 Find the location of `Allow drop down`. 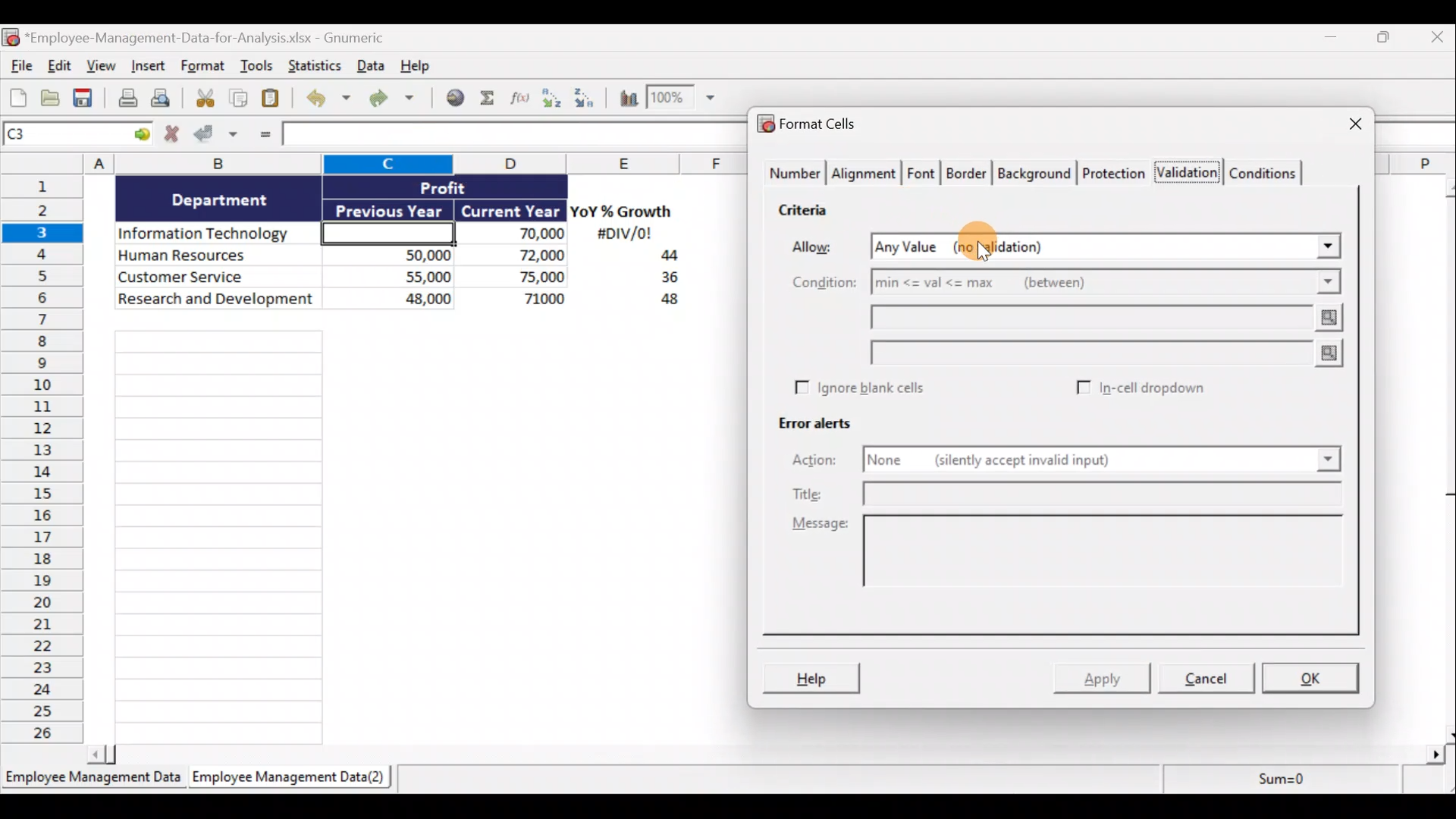

Allow drop down is located at coordinates (1325, 242).